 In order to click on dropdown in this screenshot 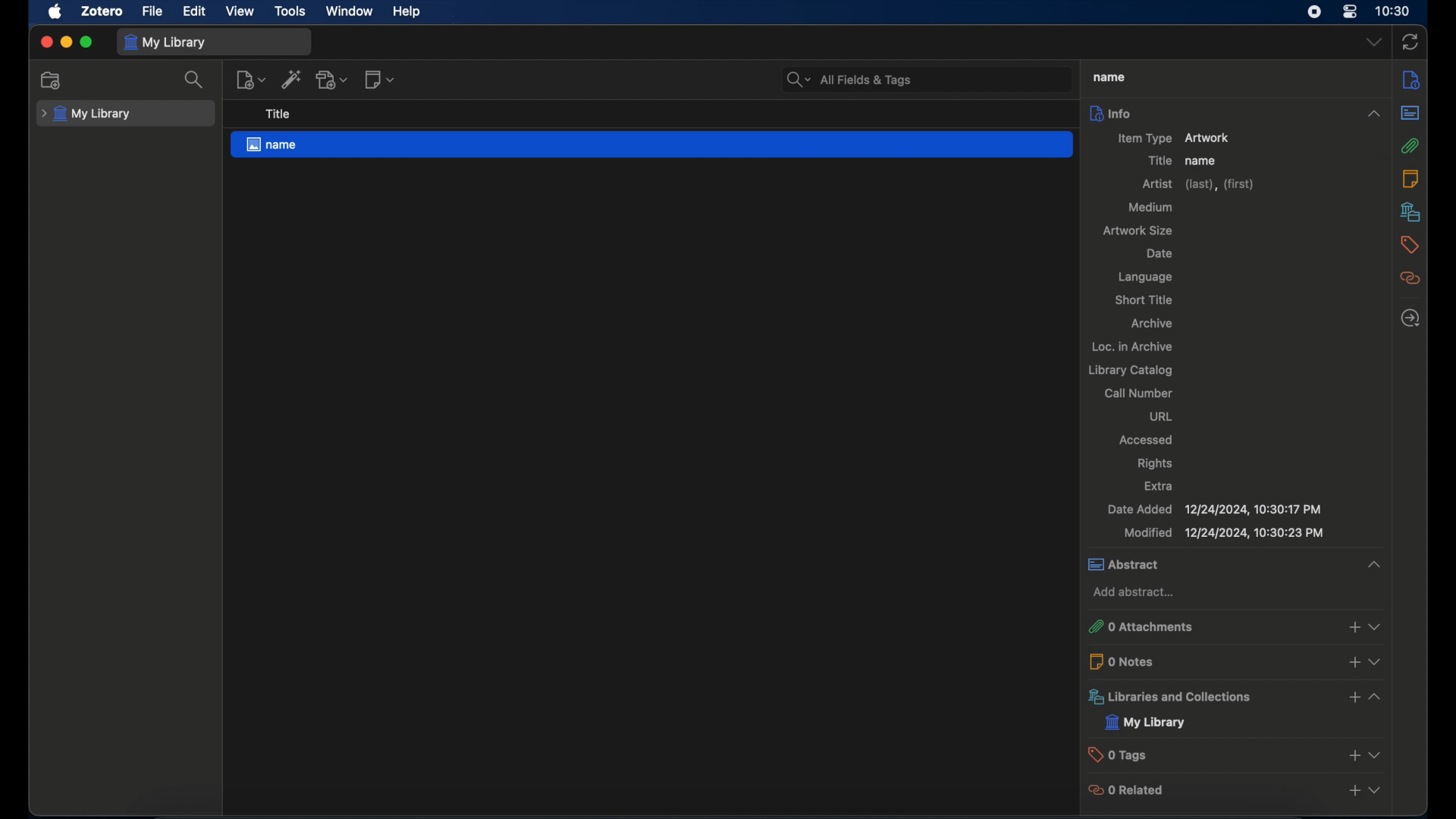, I will do `click(1374, 42)`.